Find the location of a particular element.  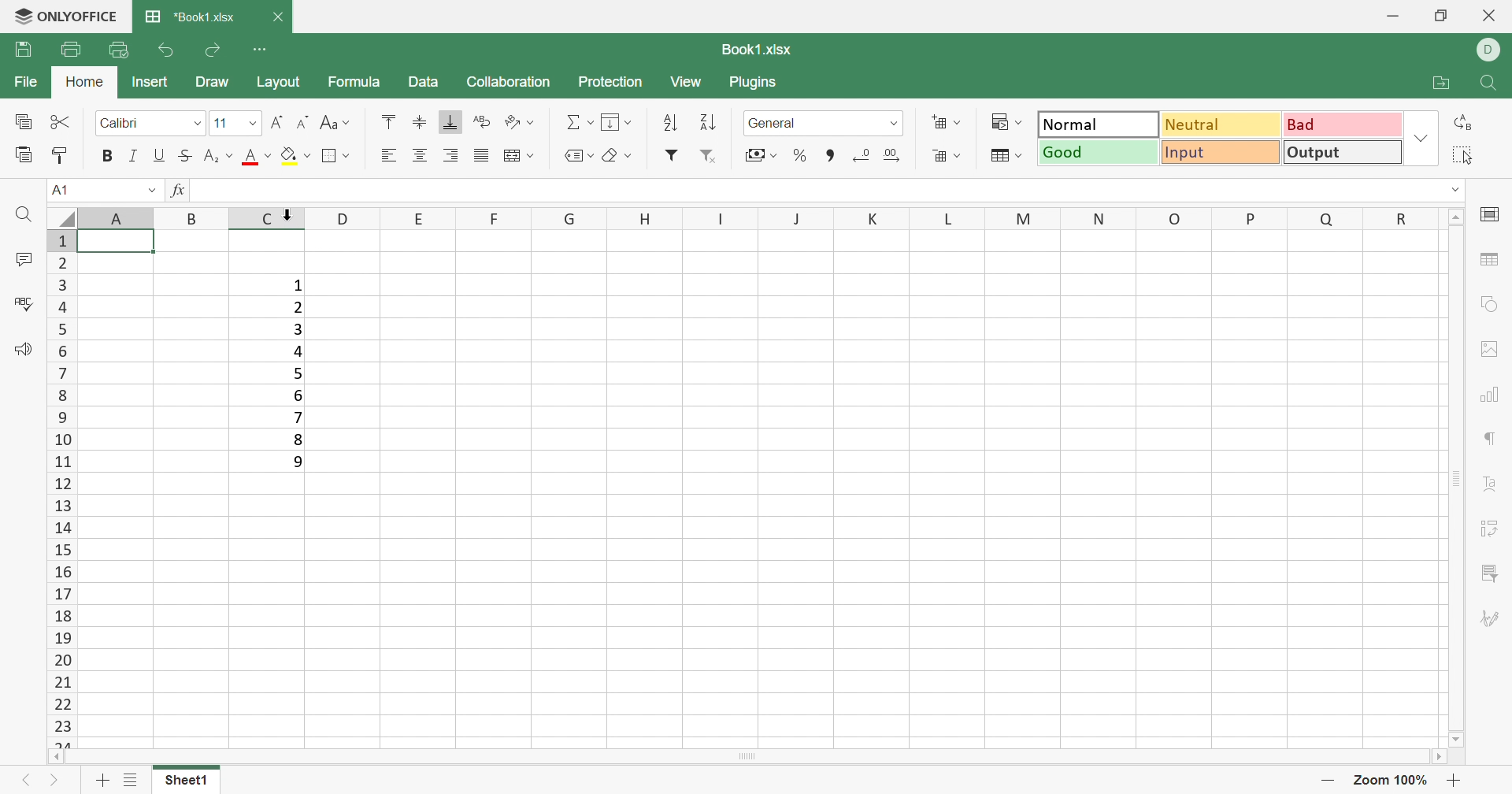

Draw is located at coordinates (211, 80).